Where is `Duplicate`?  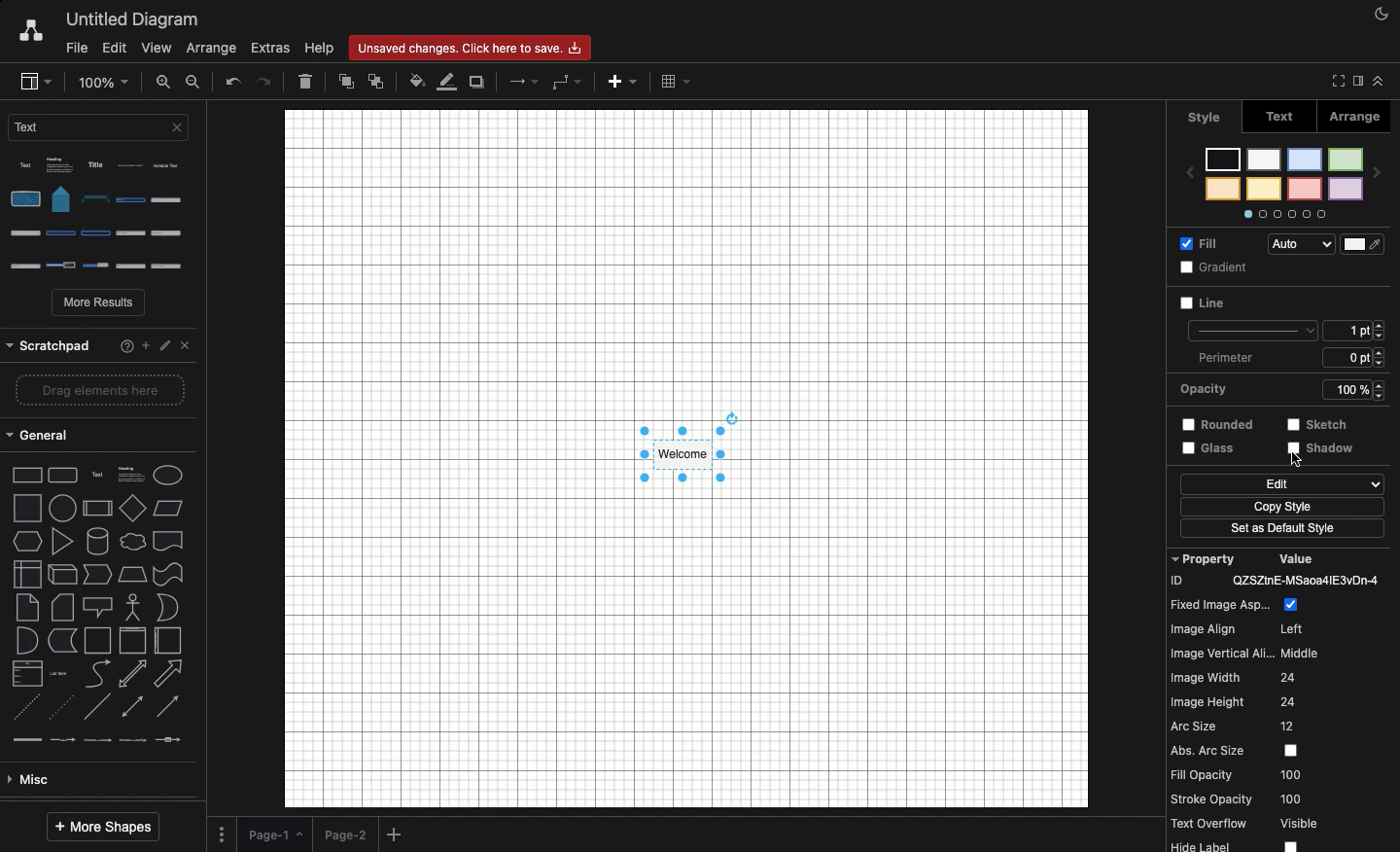 Duplicate is located at coordinates (478, 83).